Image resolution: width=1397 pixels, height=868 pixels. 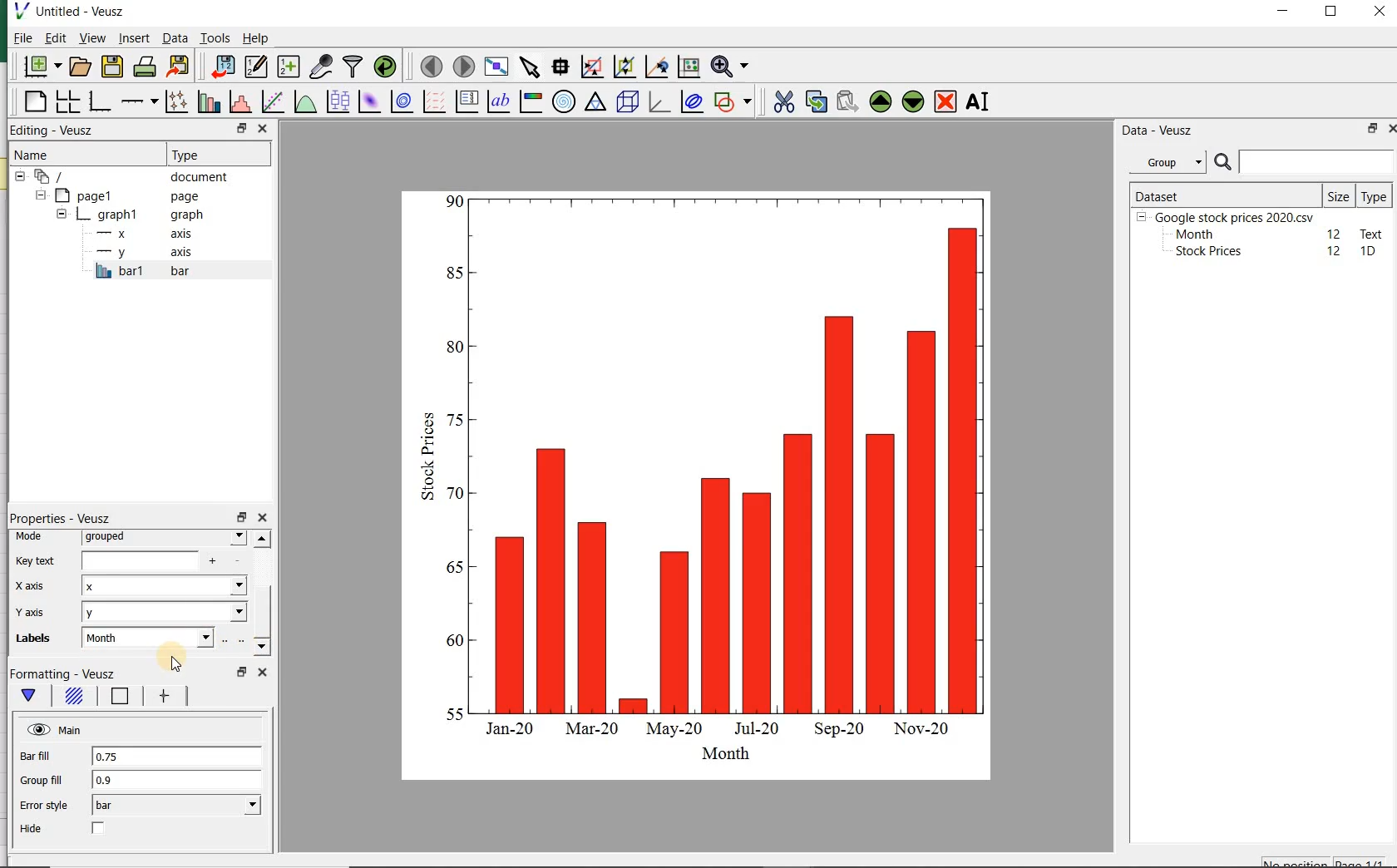 What do you see at coordinates (41, 780) in the screenshot?
I see `Group fill` at bounding box center [41, 780].